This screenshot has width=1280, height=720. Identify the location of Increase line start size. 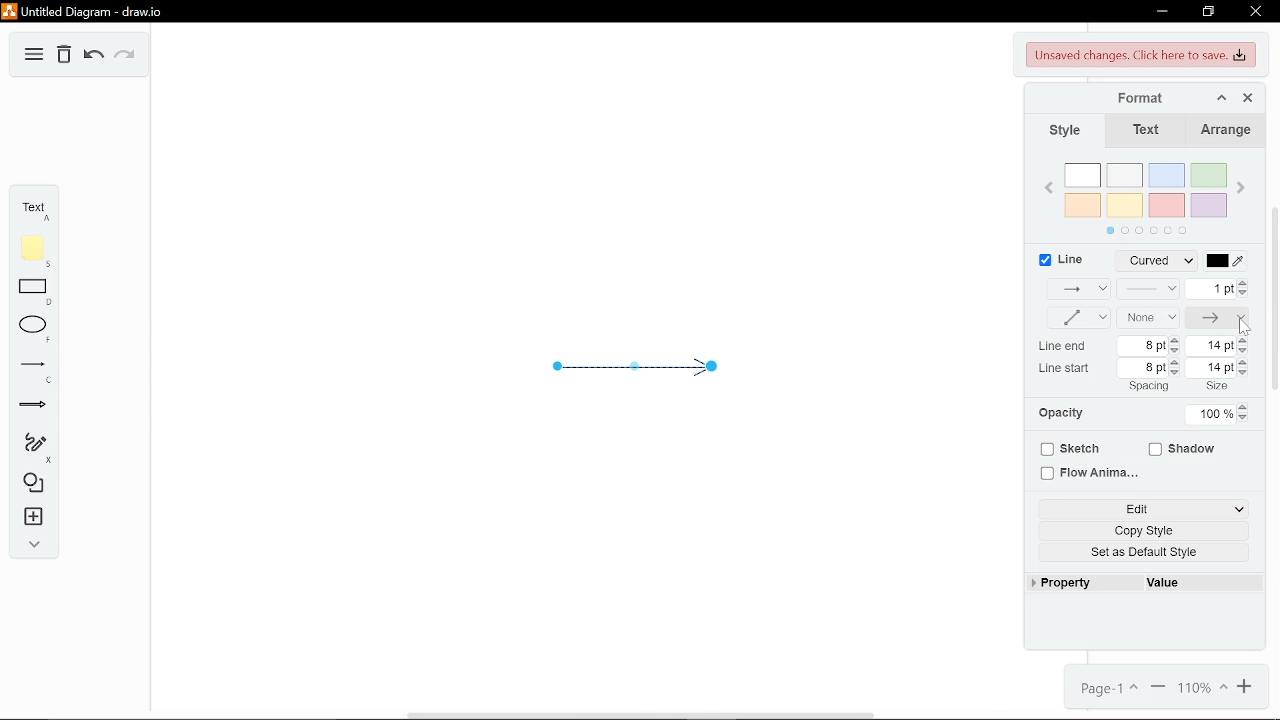
(1245, 361).